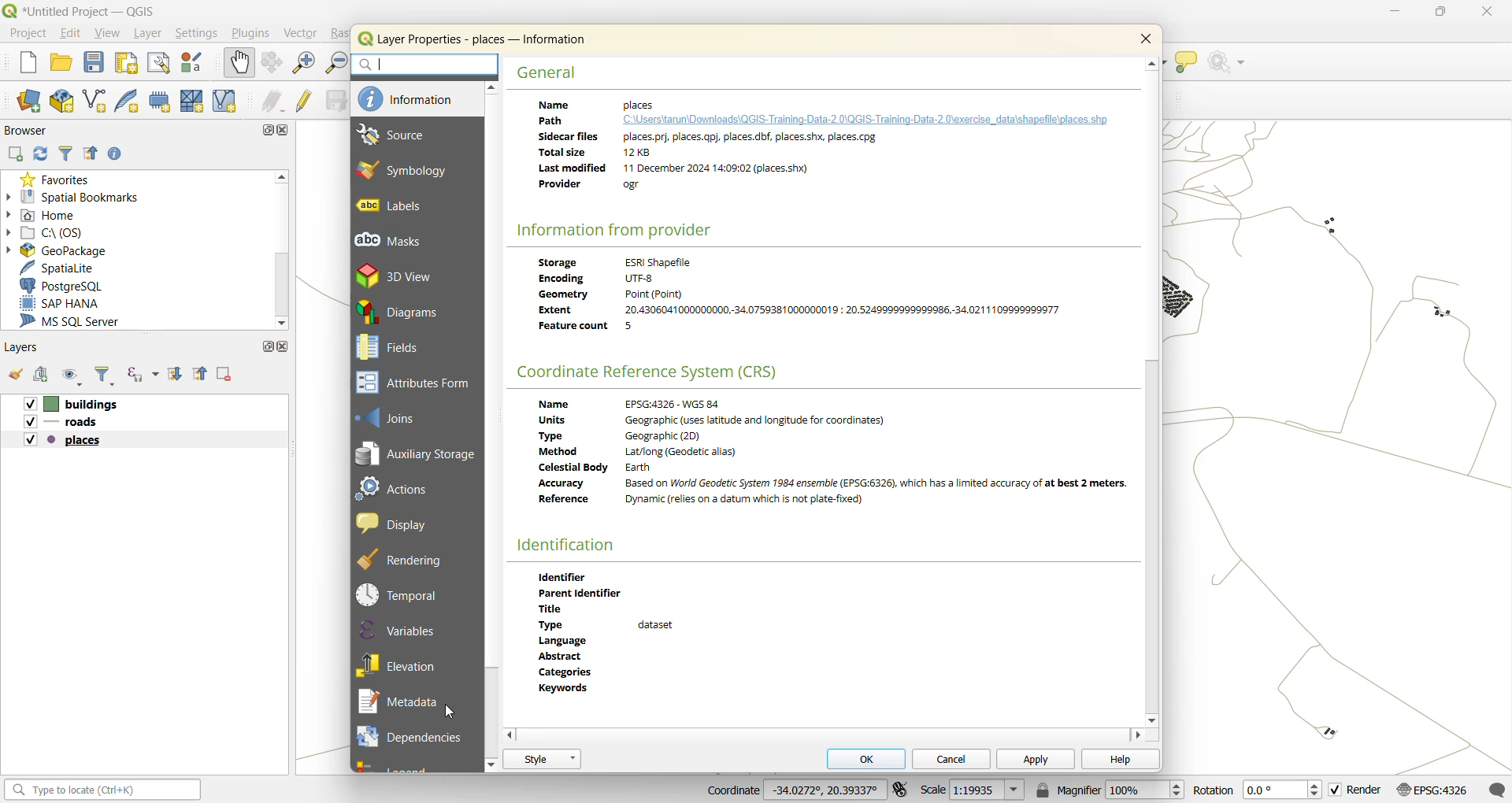 The image size is (1512, 803). Describe the element at coordinates (1151, 534) in the screenshot. I see `scroll bar` at that location.